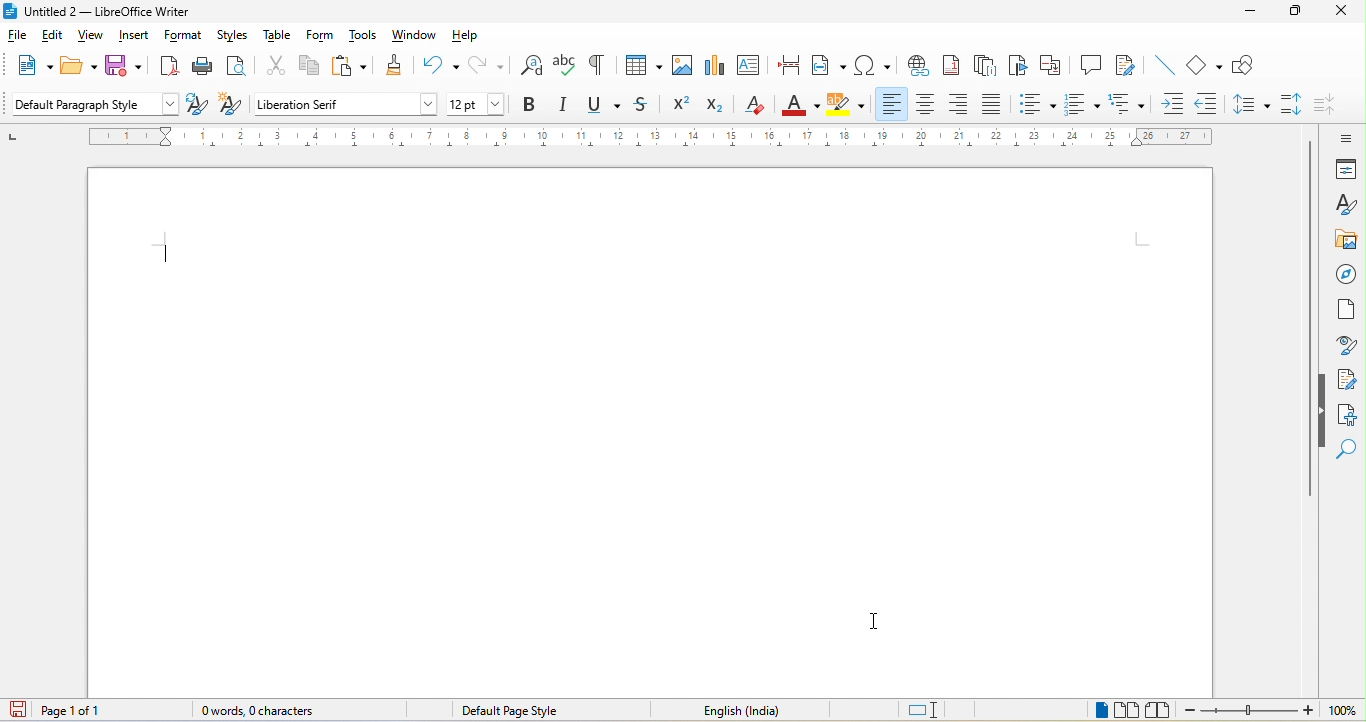  Describe the element at coordinates (1080, 107) in the screenshot. I see `ordered list` at that location.